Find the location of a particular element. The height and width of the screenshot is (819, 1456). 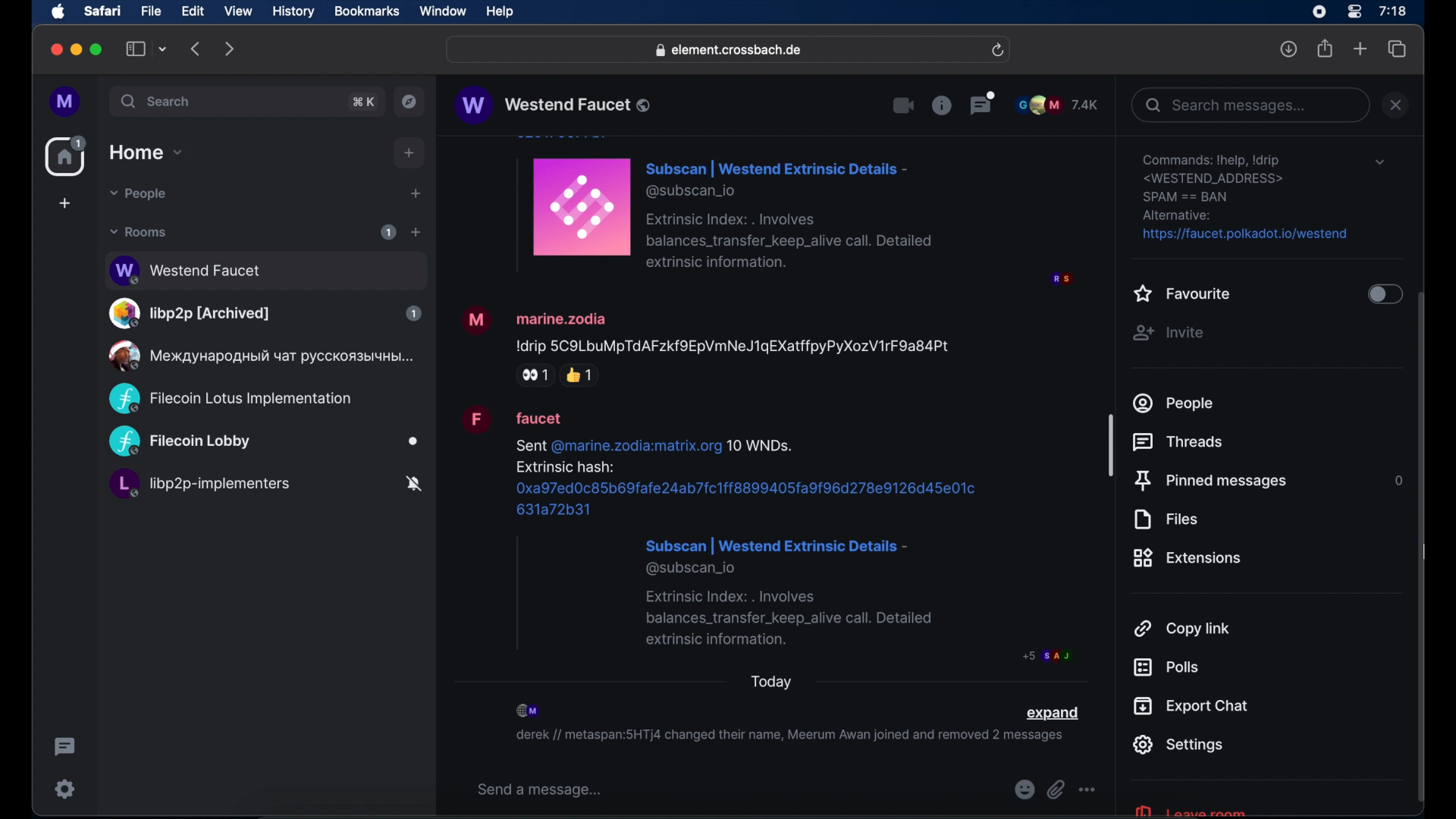

search messages is located at coordinates (1249, 105).